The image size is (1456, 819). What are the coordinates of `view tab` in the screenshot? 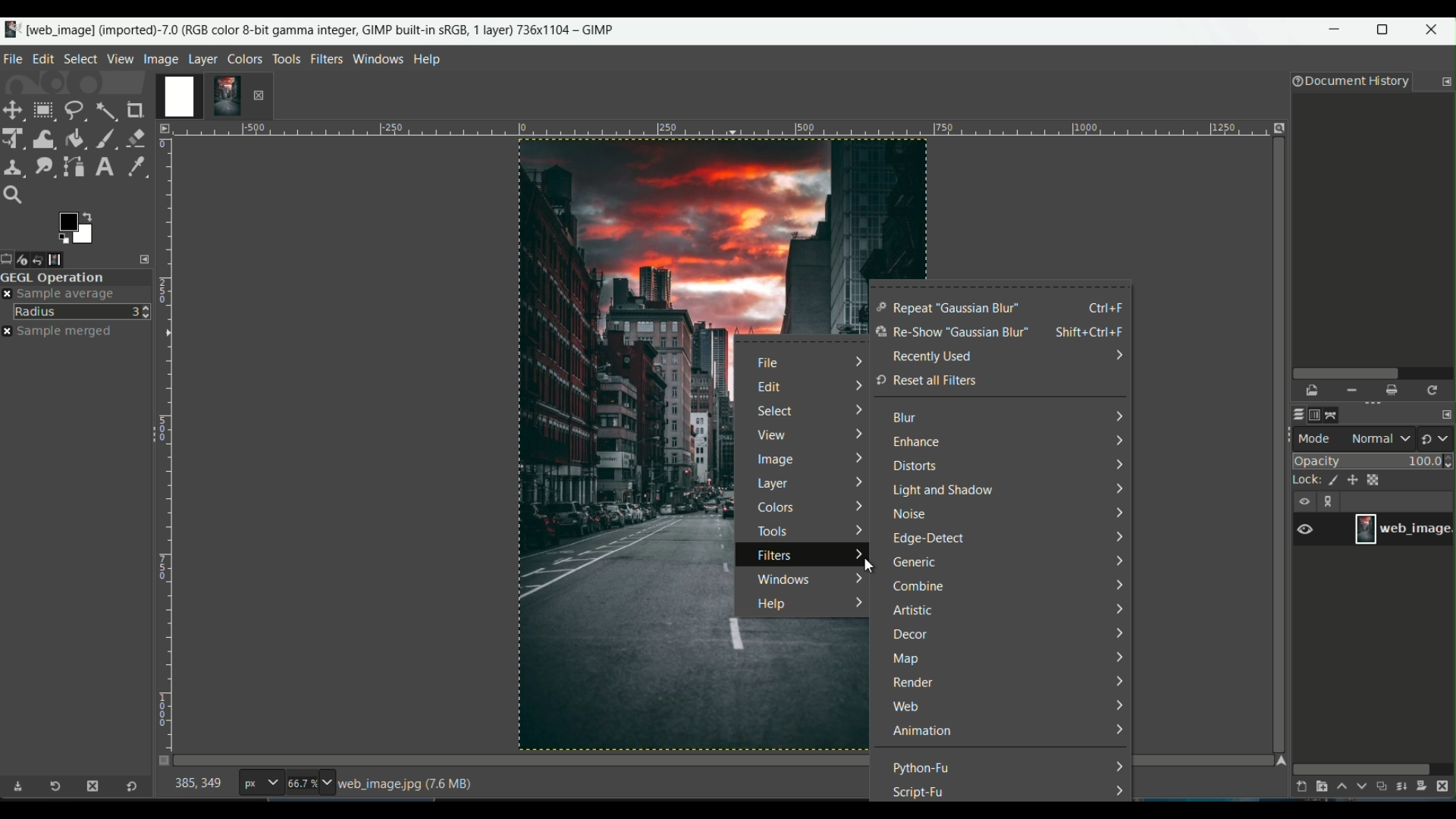 It's located at (118, 58).